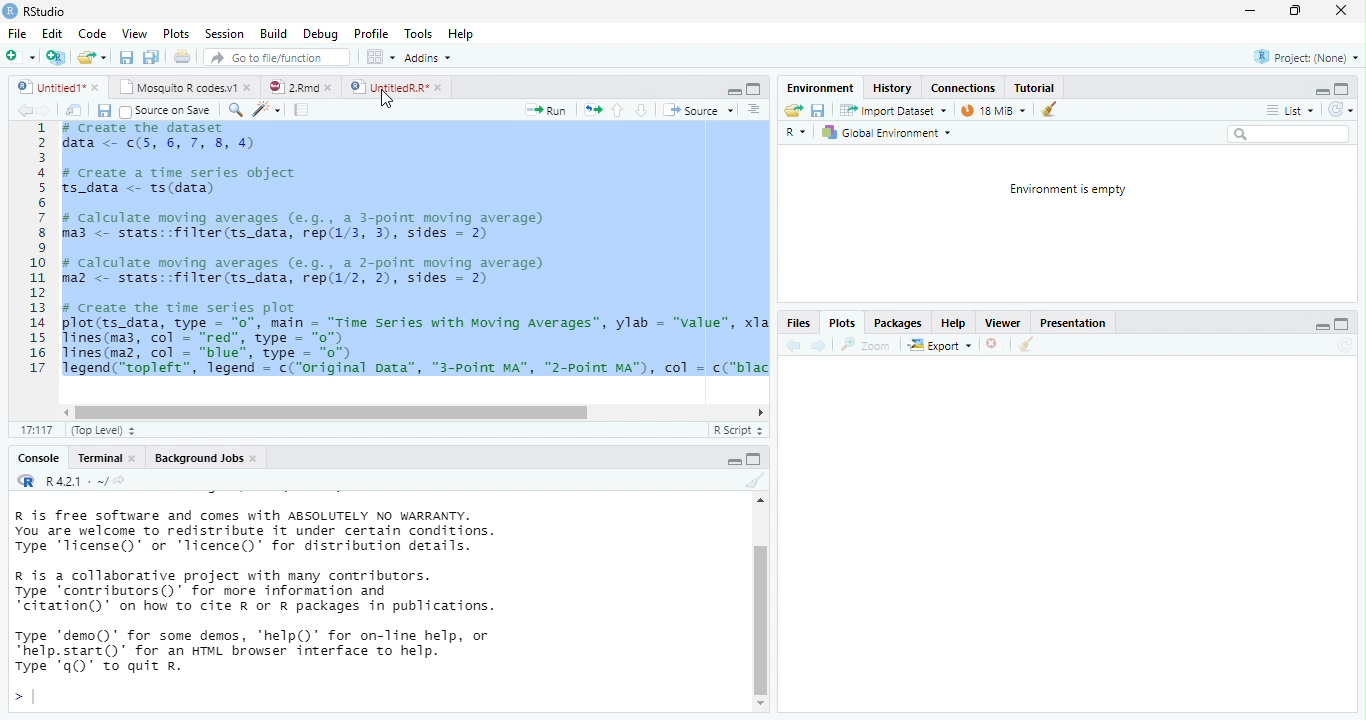 The height and width of the screenshot is (720, 1366). Describe the element at coordinates (428, 58) in the screenshot. I see `Addins` at that location.